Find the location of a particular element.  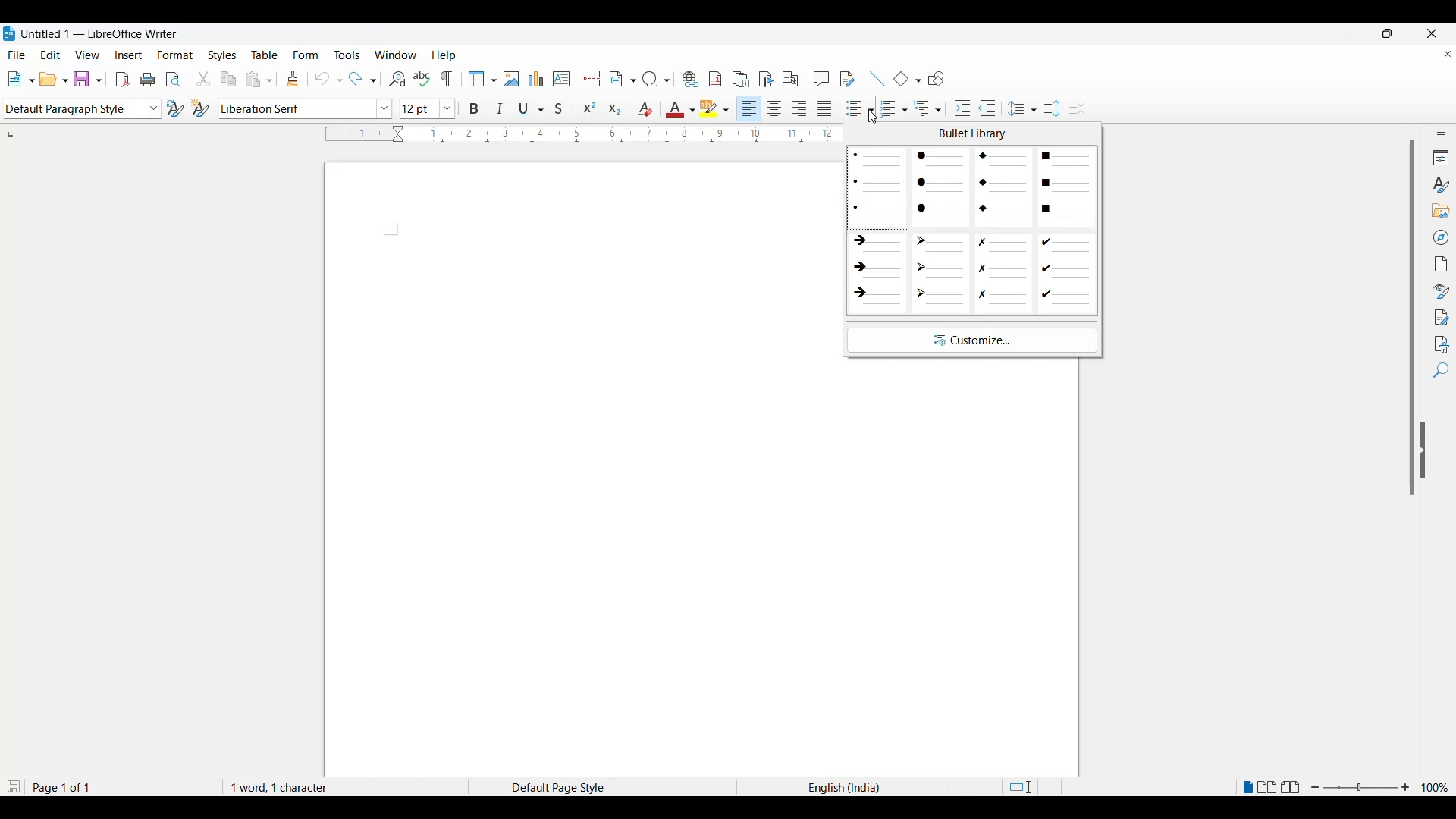

insert endnote is located at coordinates (740, 78).